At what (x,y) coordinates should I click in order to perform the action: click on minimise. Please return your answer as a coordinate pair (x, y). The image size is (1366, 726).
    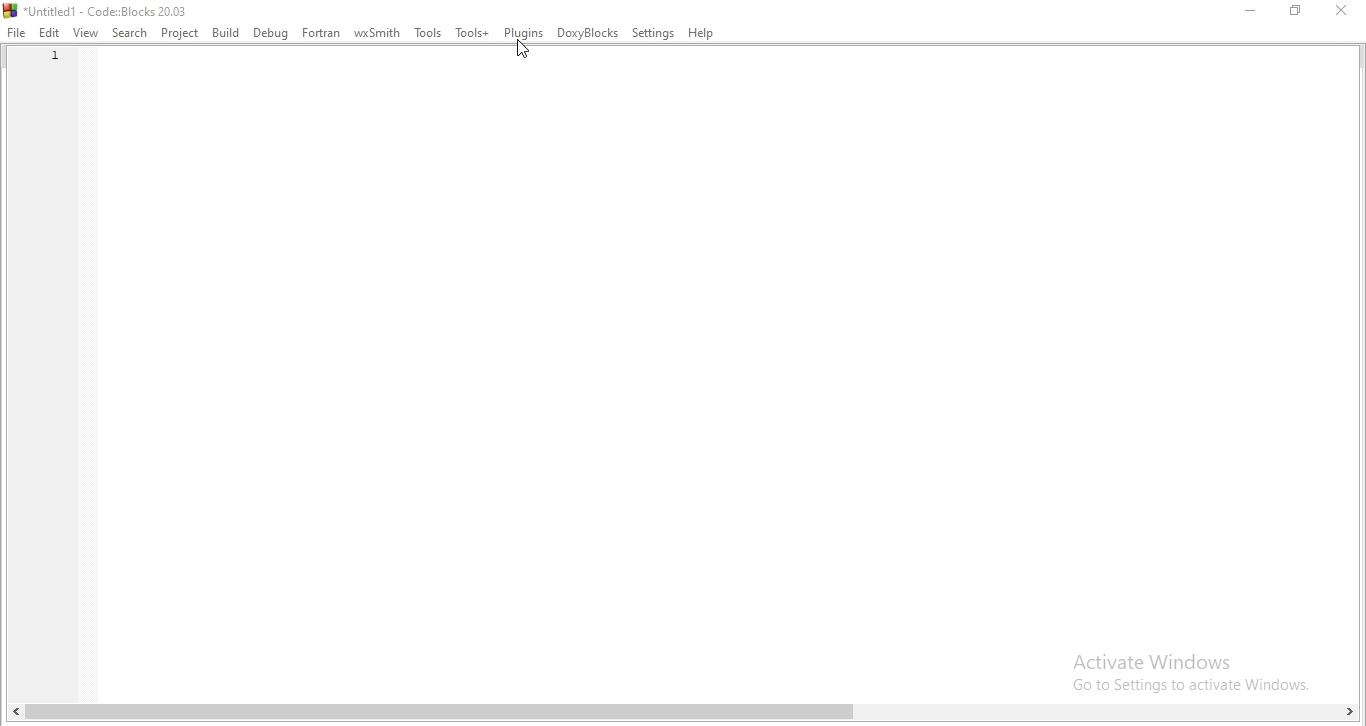
    Looking at the image, I should click on (1245, 9).